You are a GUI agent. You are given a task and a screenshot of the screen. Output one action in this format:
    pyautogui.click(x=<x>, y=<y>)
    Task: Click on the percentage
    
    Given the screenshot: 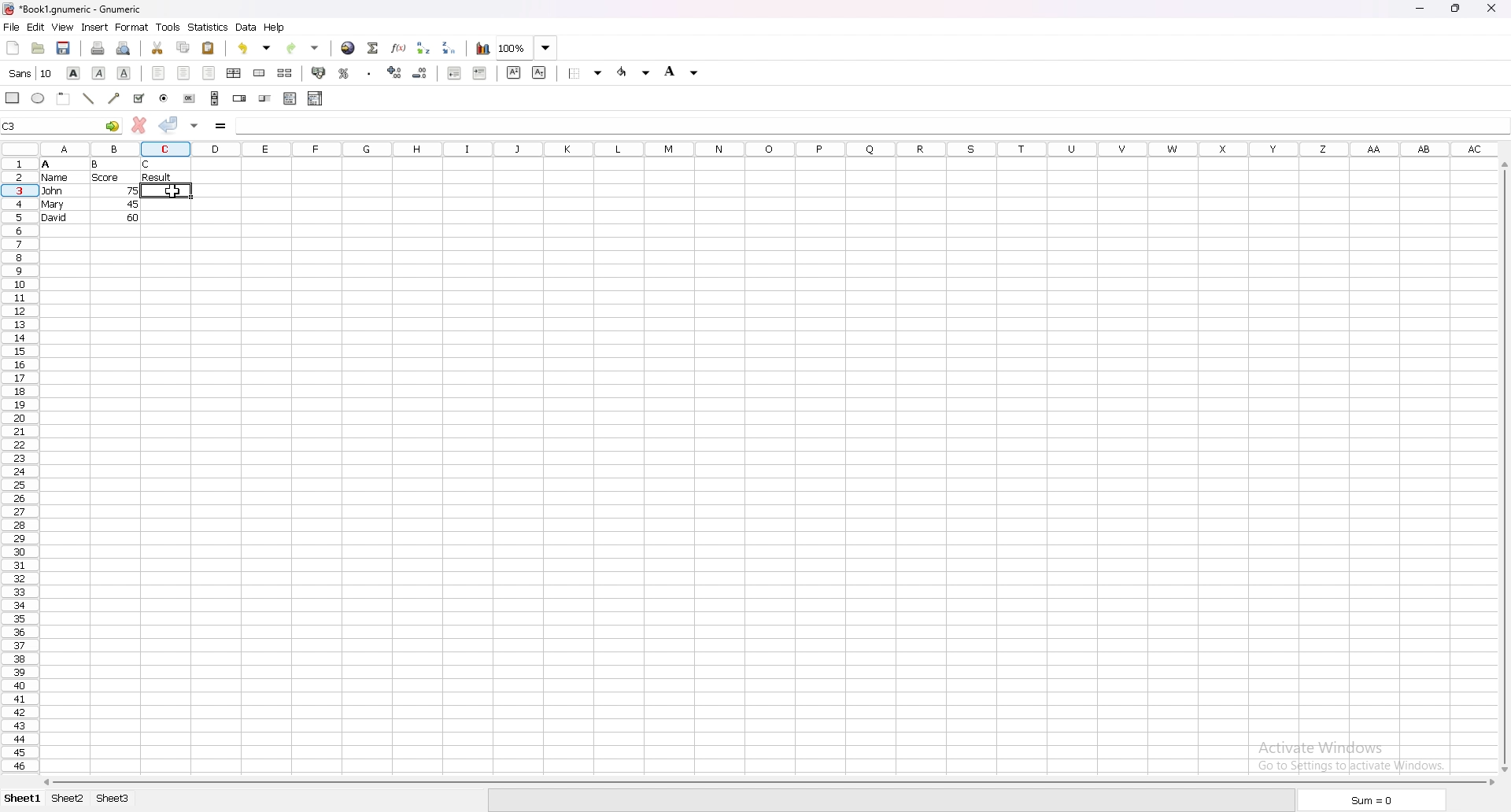 What is the action you would take?
    pyautogui.click(x=345, y=74)
    